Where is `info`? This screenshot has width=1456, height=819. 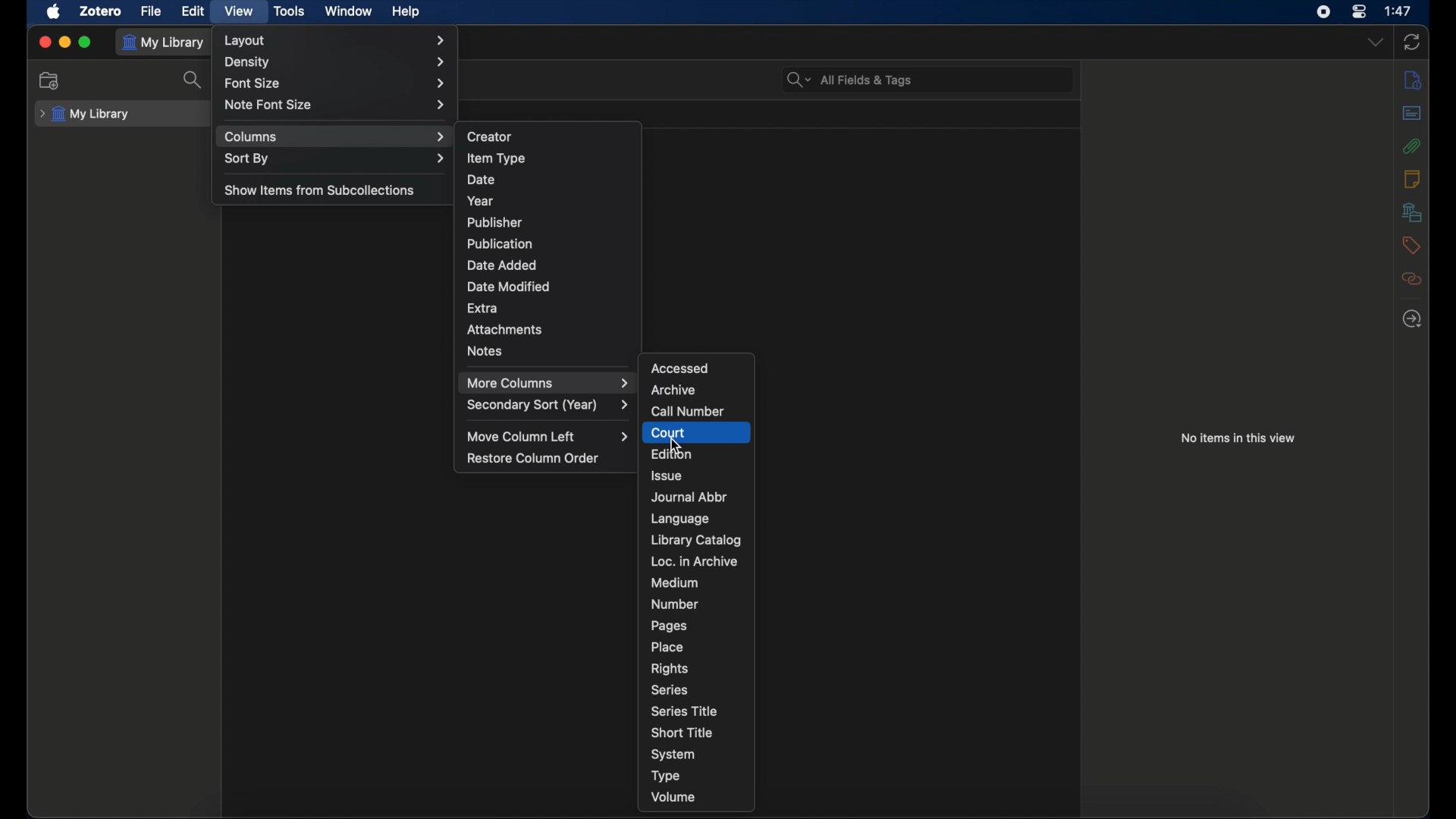
info is located at coordinates (1414, 80).